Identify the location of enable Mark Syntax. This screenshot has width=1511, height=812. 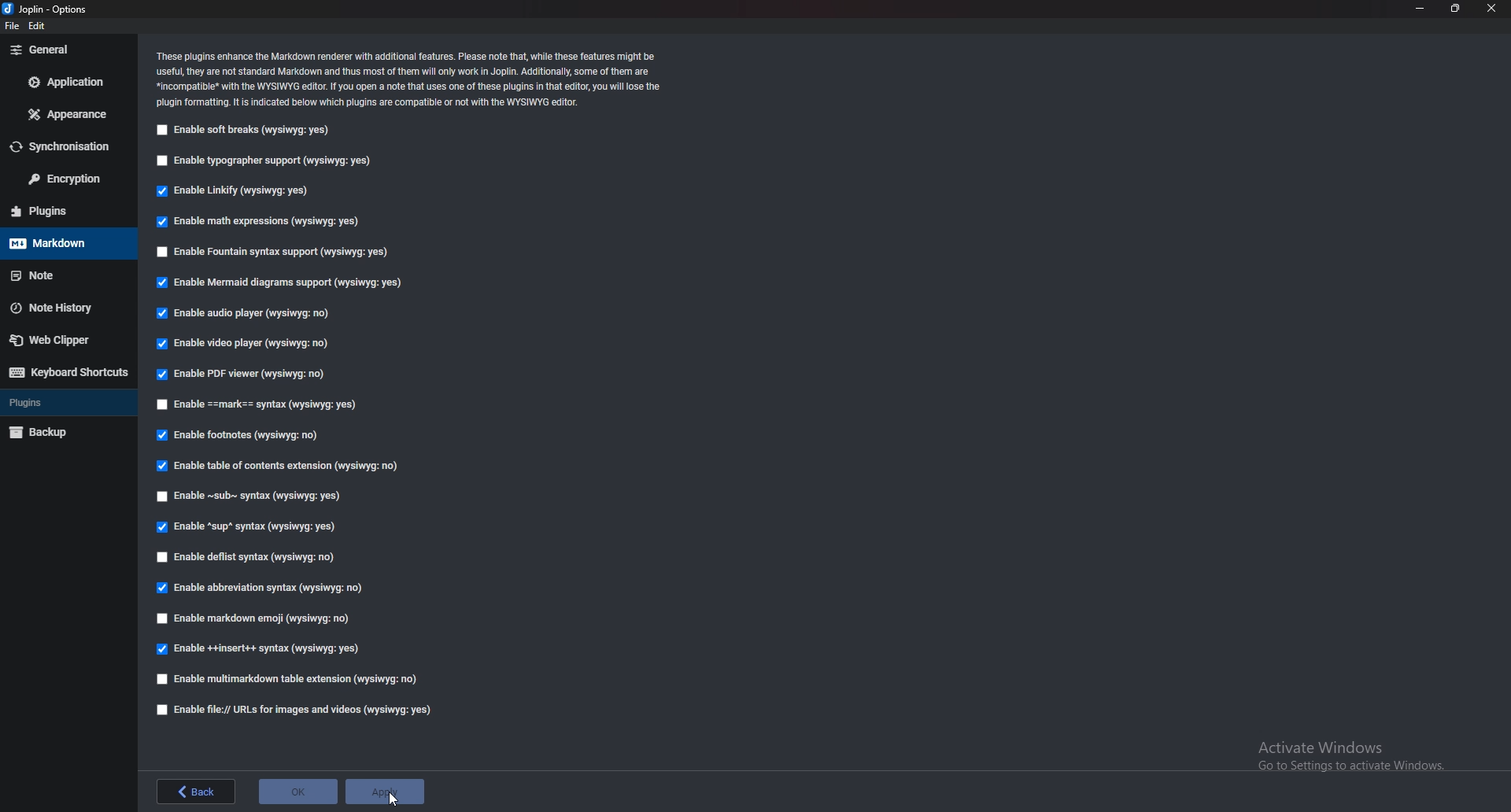
(282, 406).